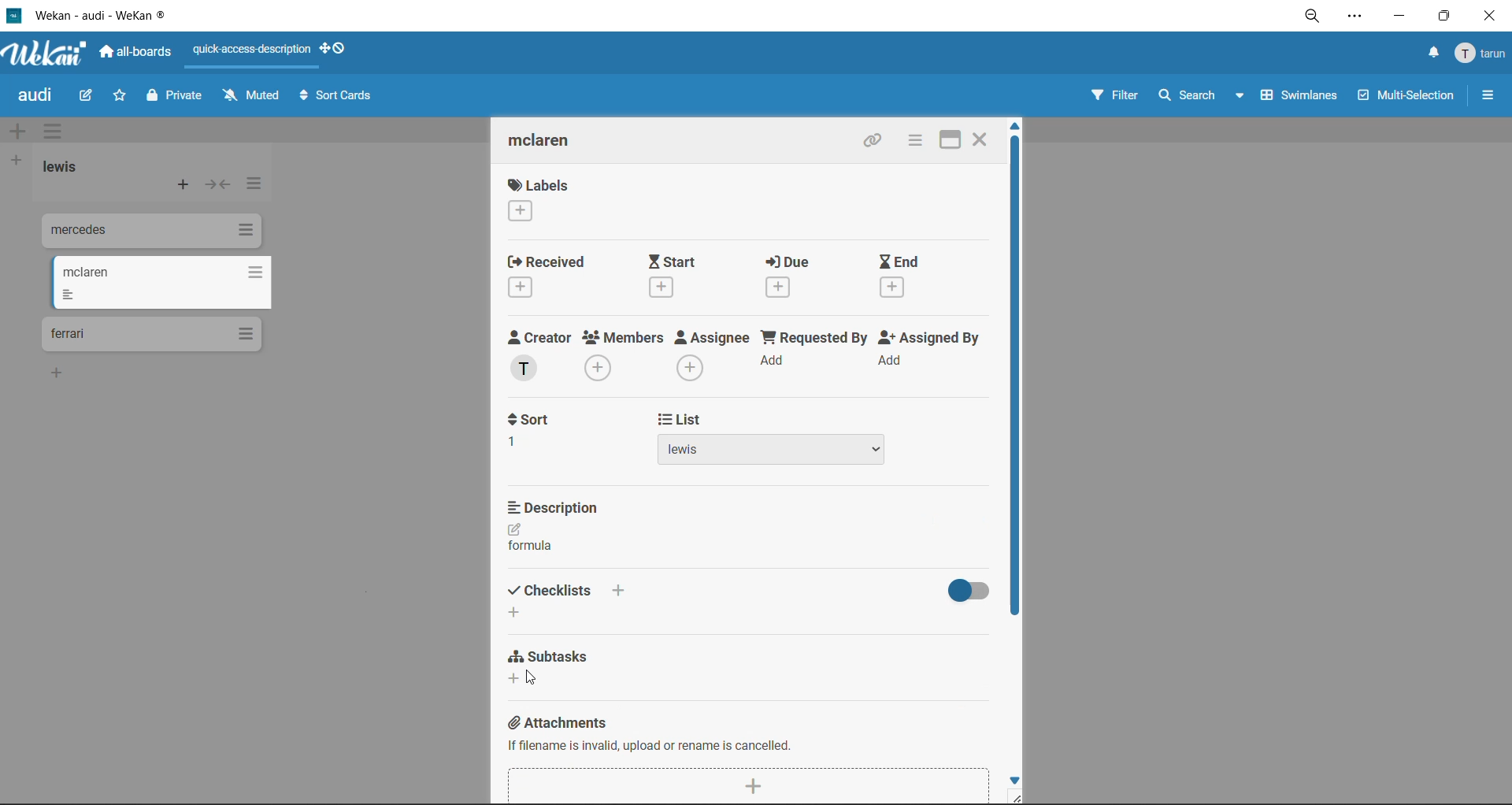  I want to click on members, so click(626, 358).